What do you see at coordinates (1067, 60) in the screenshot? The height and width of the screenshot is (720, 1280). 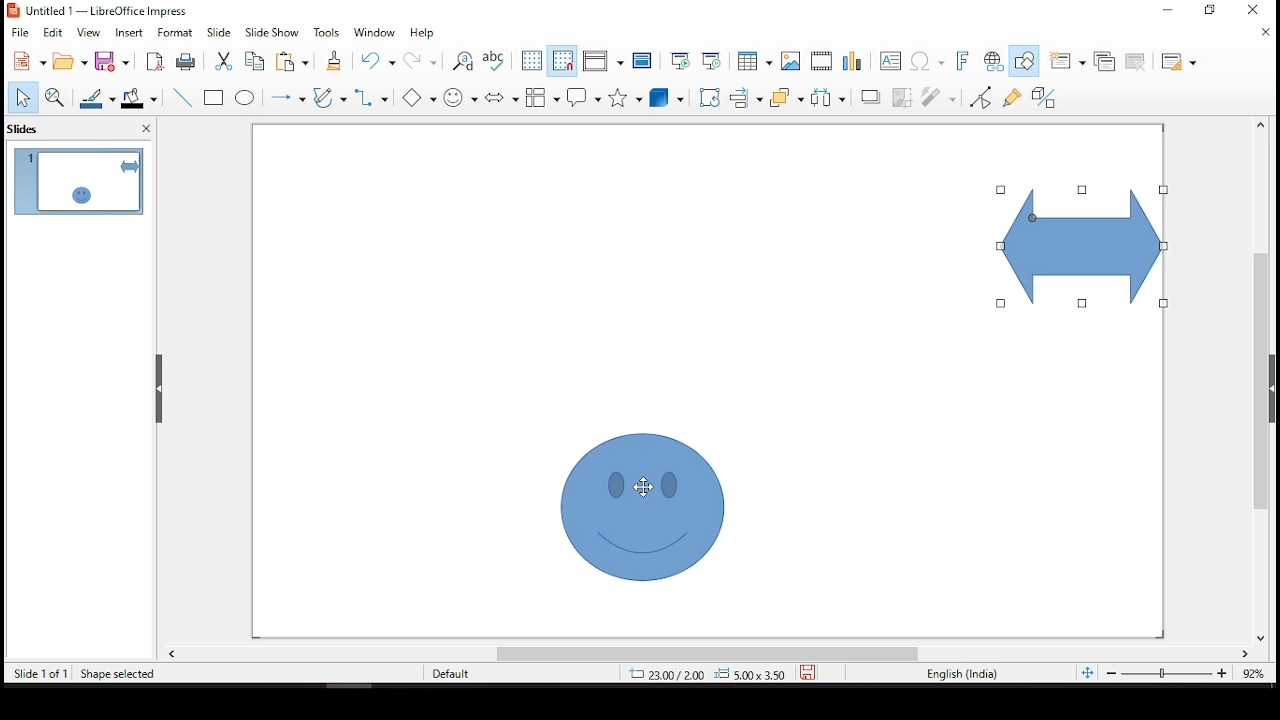 I see `new slide` at bounding box center [1067, 60].